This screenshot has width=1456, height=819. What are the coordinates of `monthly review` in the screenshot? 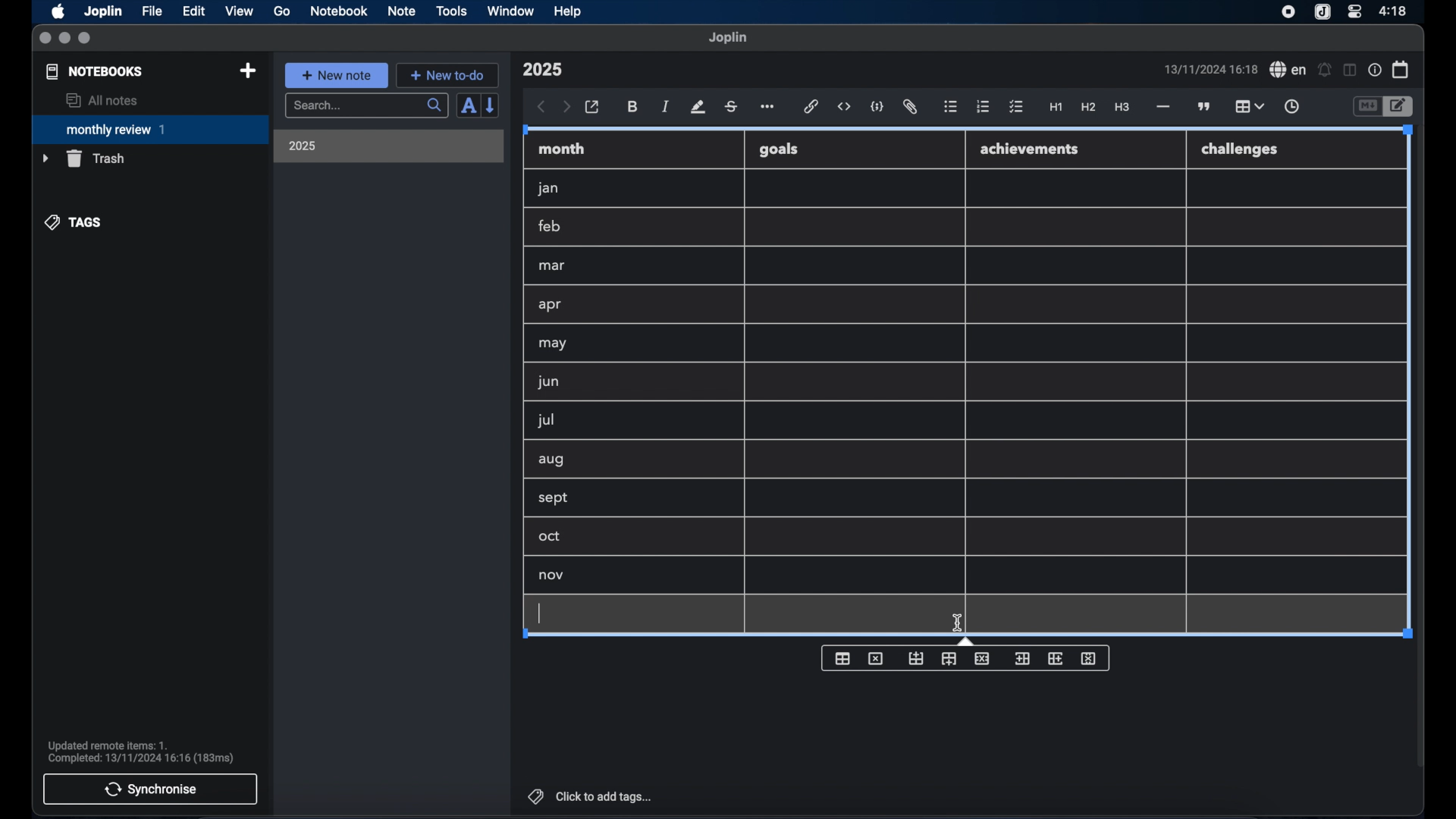 It's located at (150, 128).